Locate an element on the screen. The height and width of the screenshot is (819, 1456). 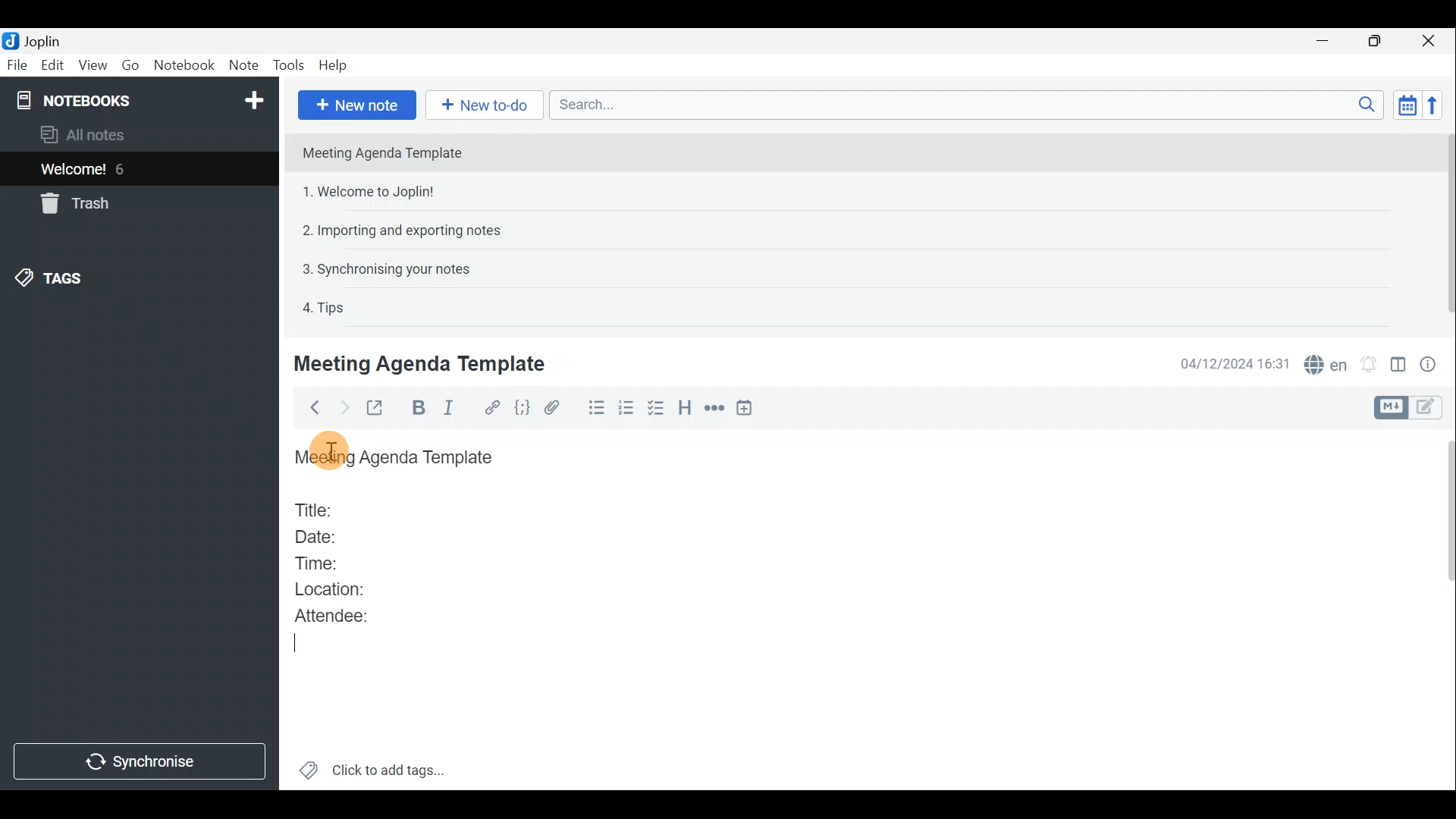
Set alarm is located at coordinates (1370, 364).